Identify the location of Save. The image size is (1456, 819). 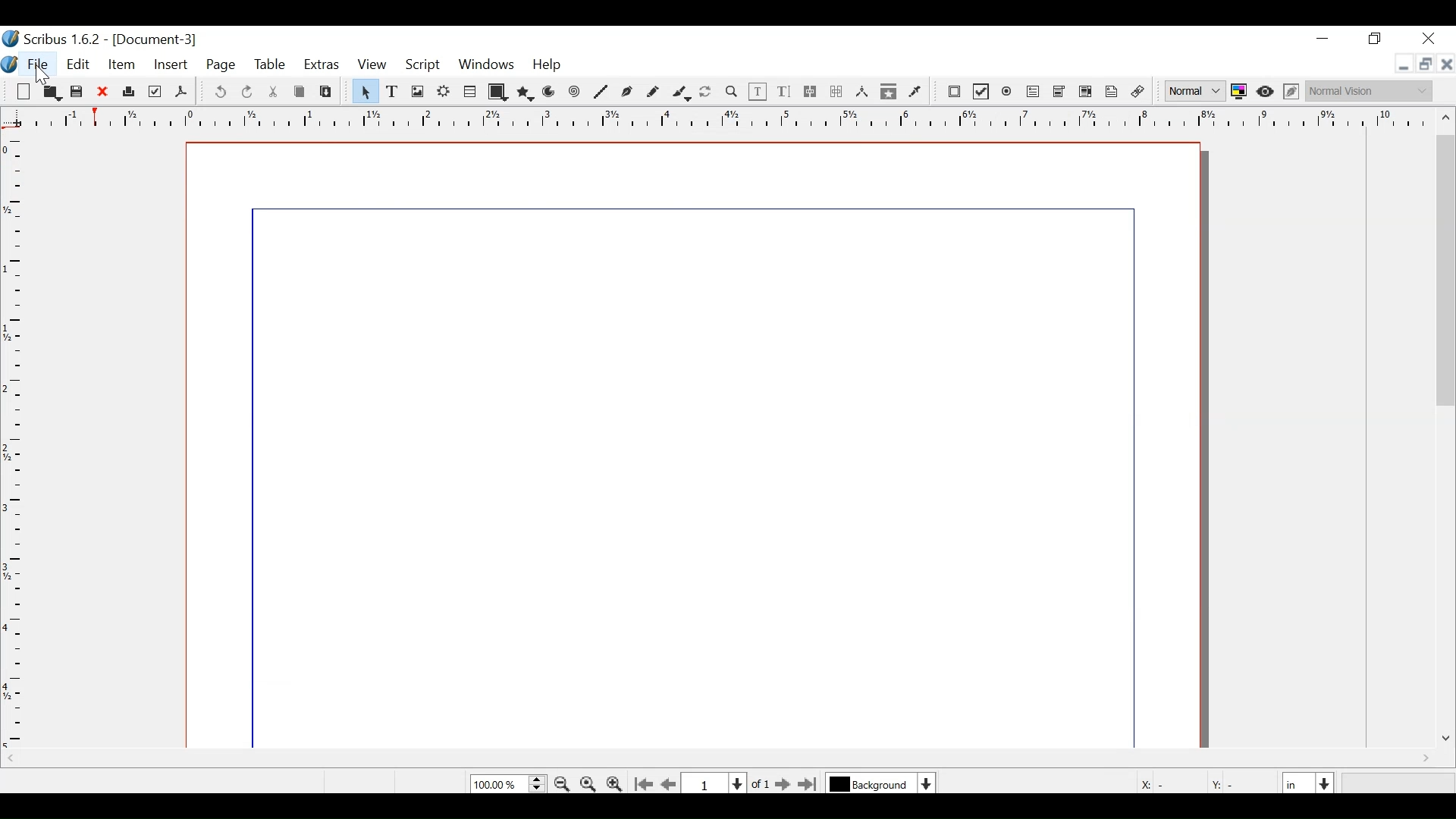
(78, 93).